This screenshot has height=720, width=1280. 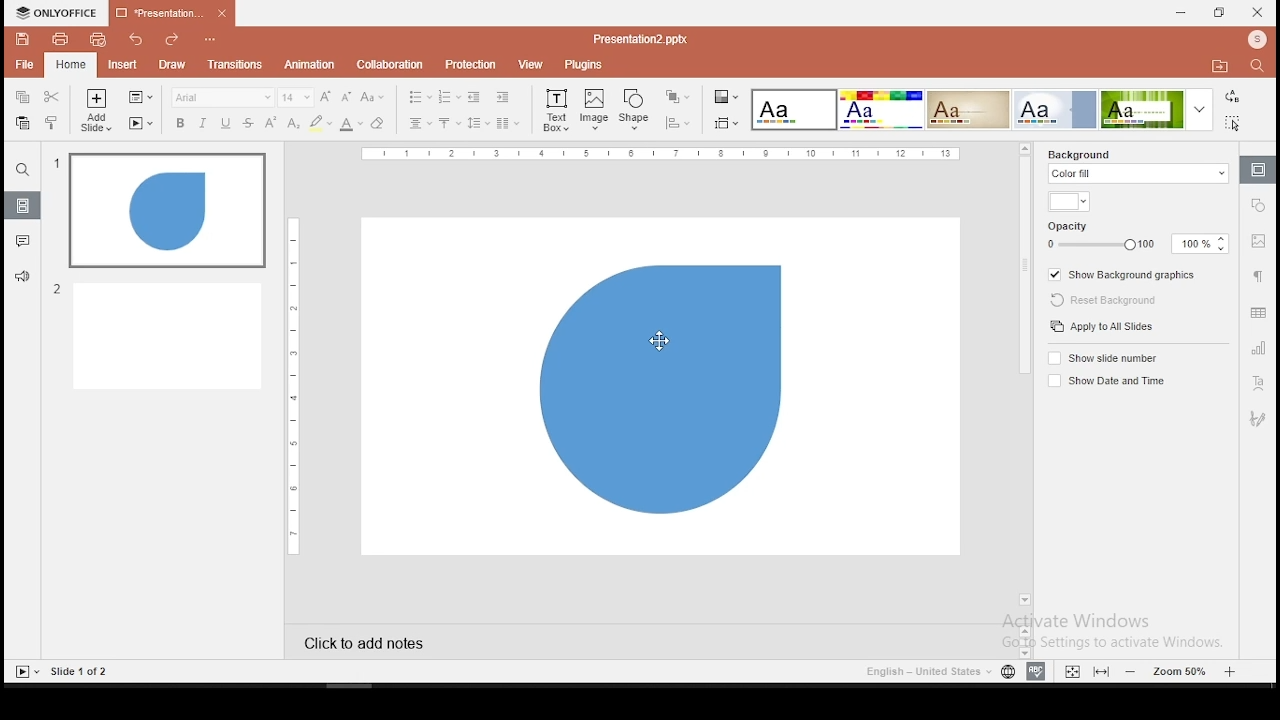 What do you see at coordinates (675, 97) in the screenshot?
I see `arrange objects` at bounding box center [675, 97].